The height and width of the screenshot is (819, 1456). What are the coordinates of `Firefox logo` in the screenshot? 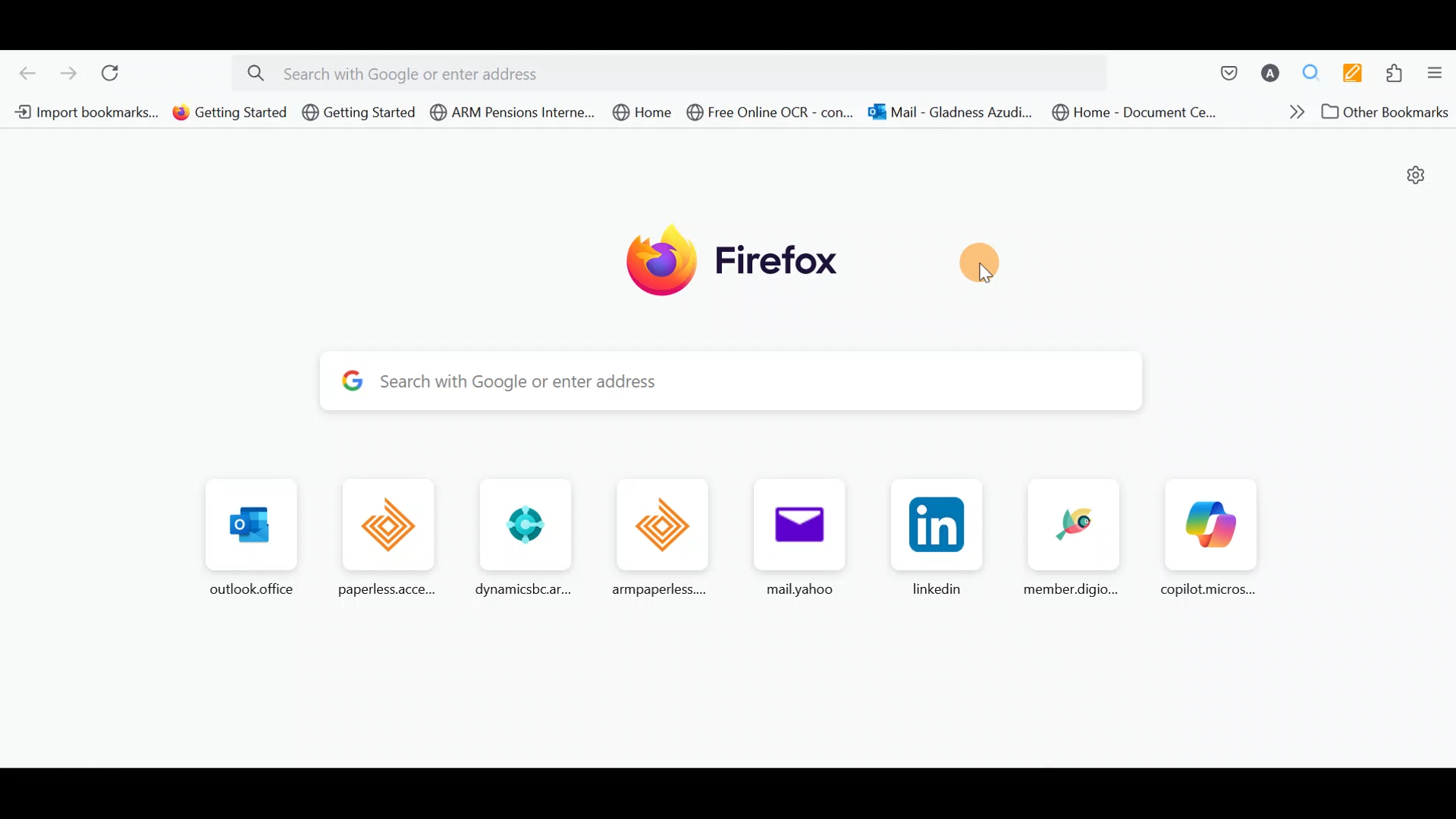 It's located at (738, 265).